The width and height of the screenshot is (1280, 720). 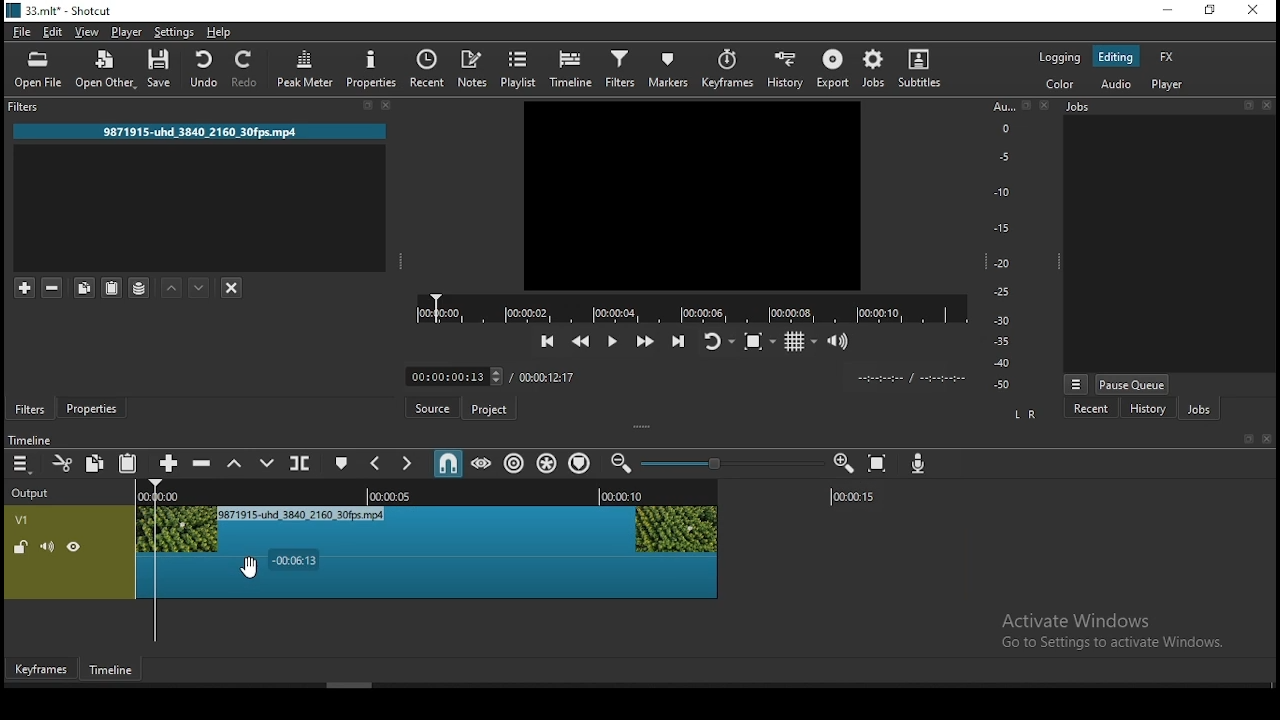 I want to click on undo, so click(x=204, y=70).